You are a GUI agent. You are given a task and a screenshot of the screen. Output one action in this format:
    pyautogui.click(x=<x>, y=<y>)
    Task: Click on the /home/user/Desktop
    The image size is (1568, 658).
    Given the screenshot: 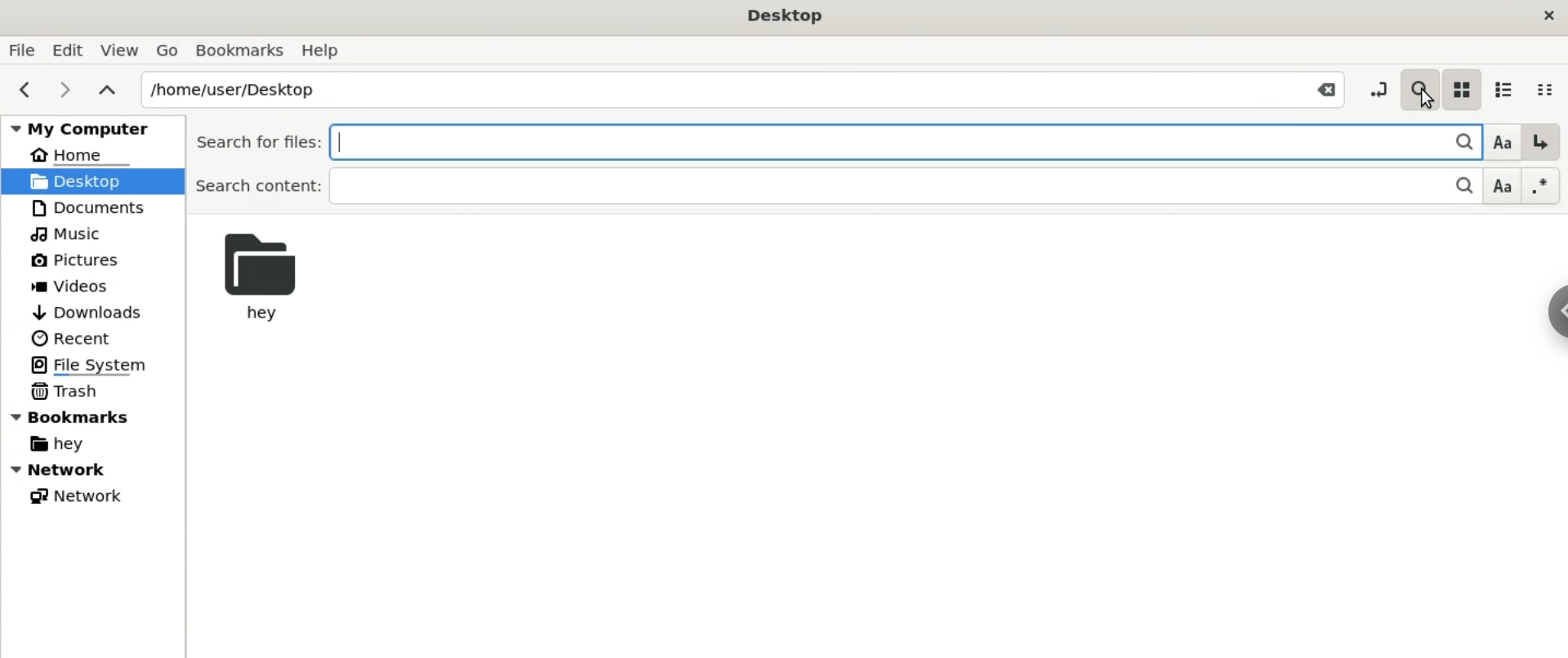 What is the action you would take?
    pyautogui.click(x=708, y=87)
    